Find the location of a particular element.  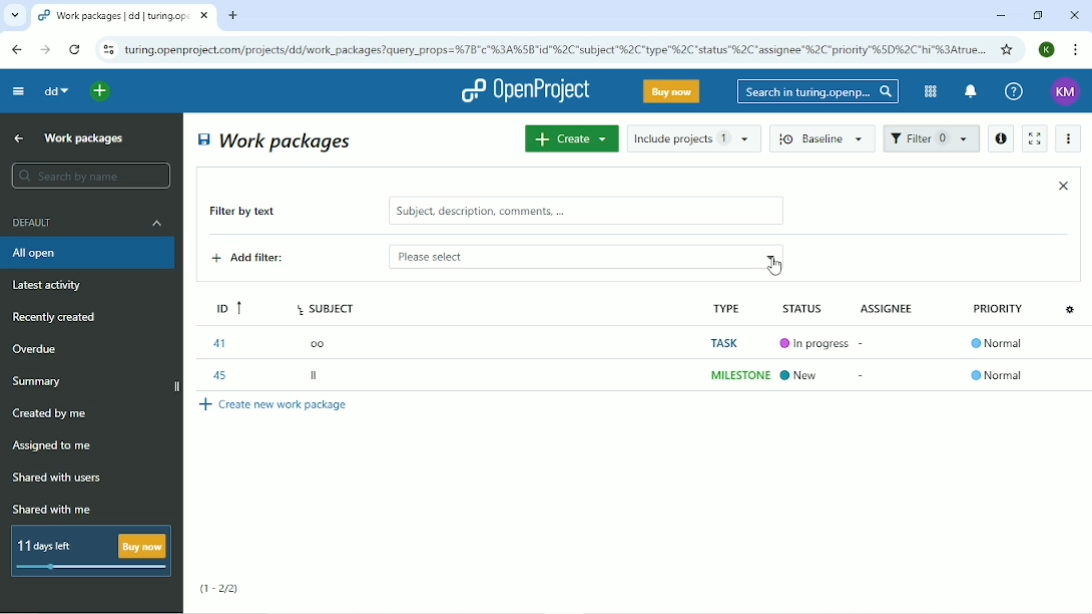

Status is located at coordinates (813, 305).